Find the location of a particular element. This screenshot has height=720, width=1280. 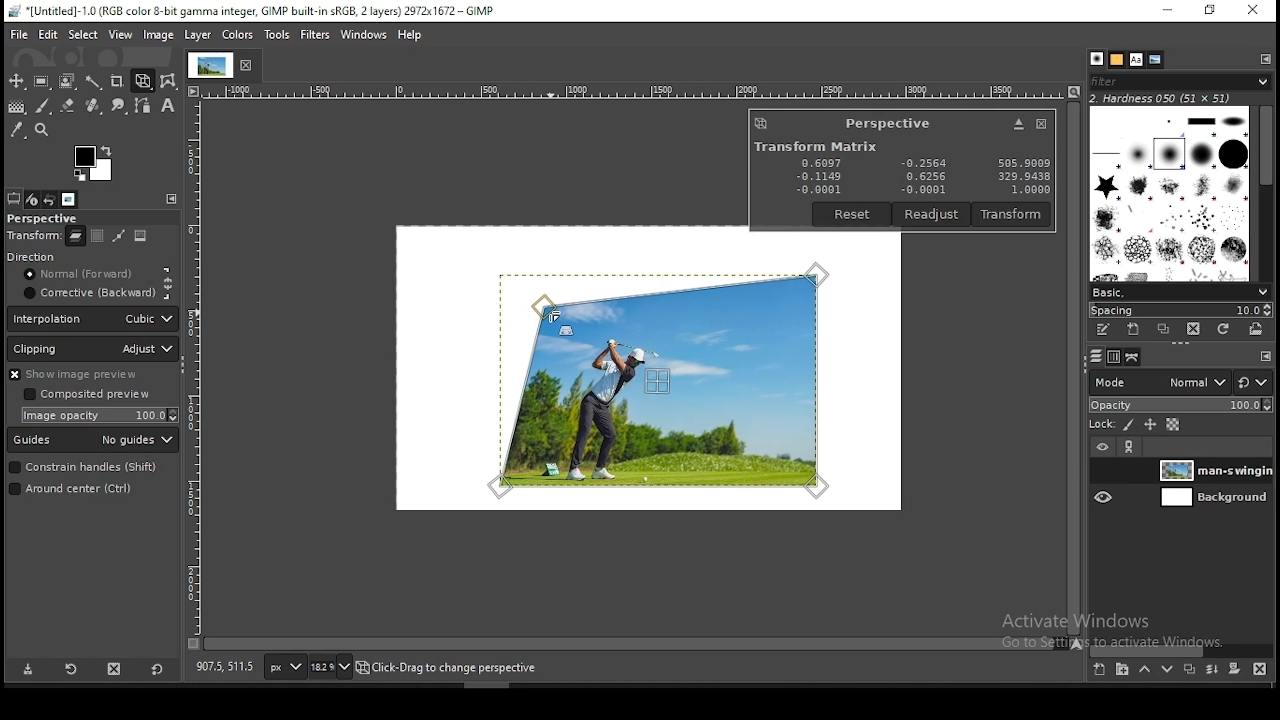

smudge tool is located at coordinates (120, 105).